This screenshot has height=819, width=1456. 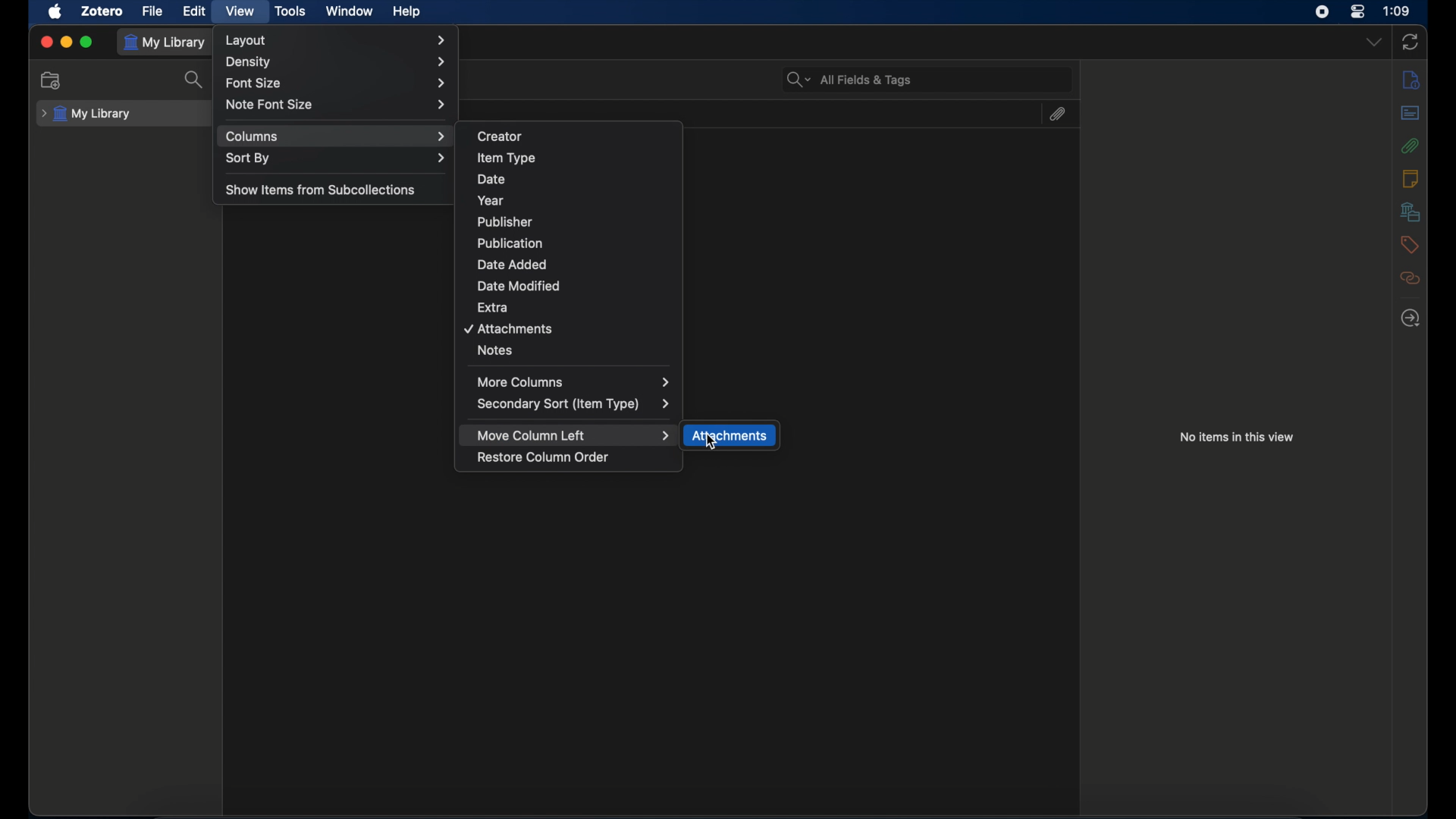 I want to click on notes, so click(x=495, y=350).